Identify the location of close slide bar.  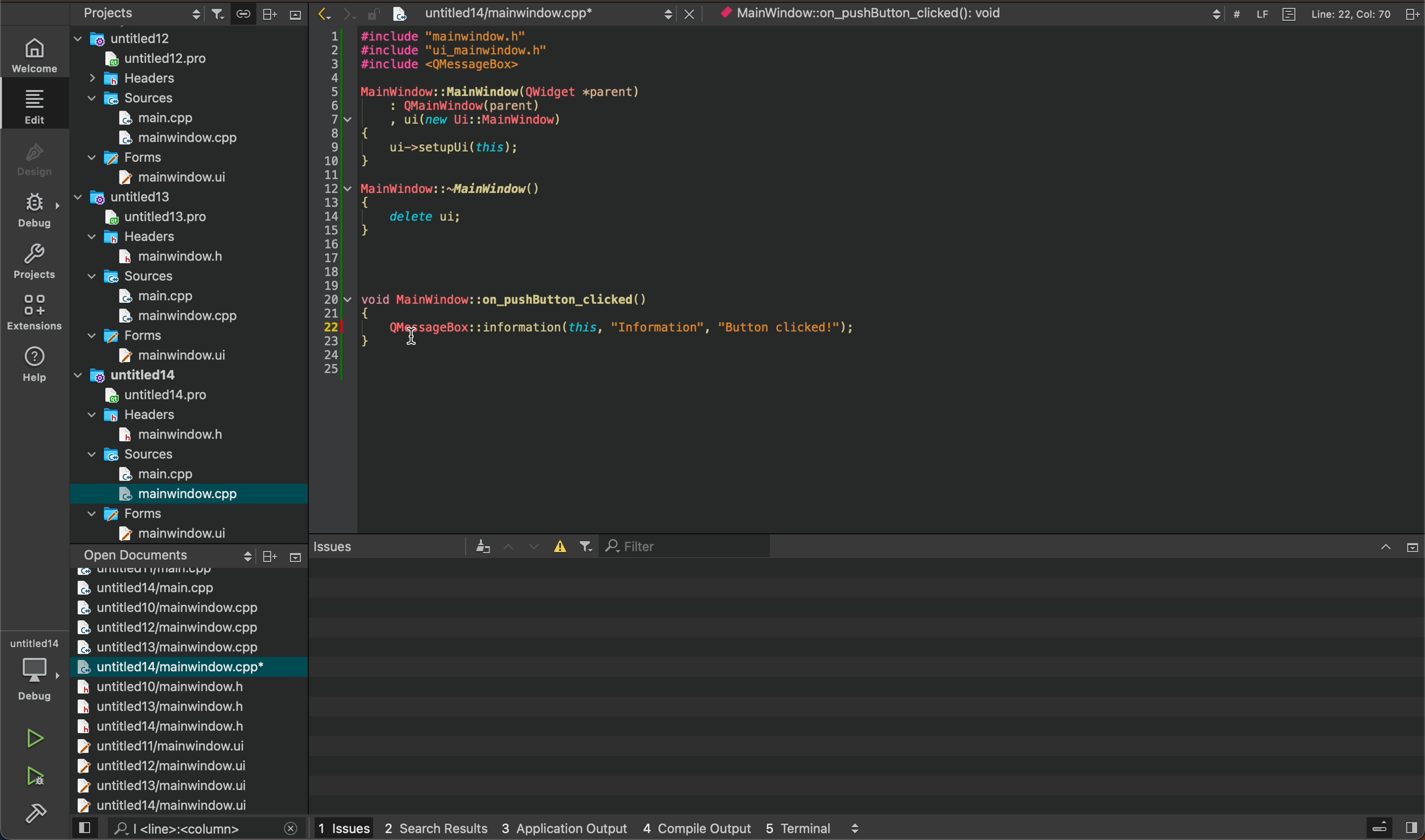
(1362, 826).